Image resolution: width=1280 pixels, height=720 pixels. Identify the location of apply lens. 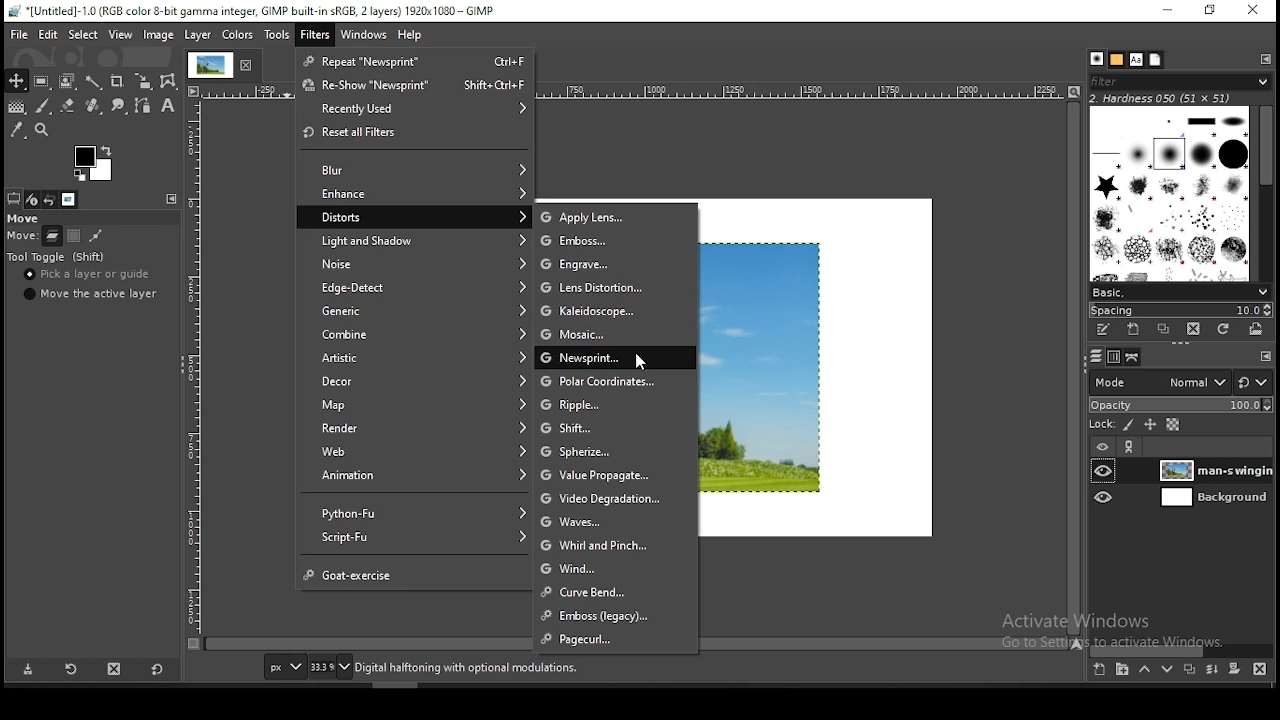
(615, 215).